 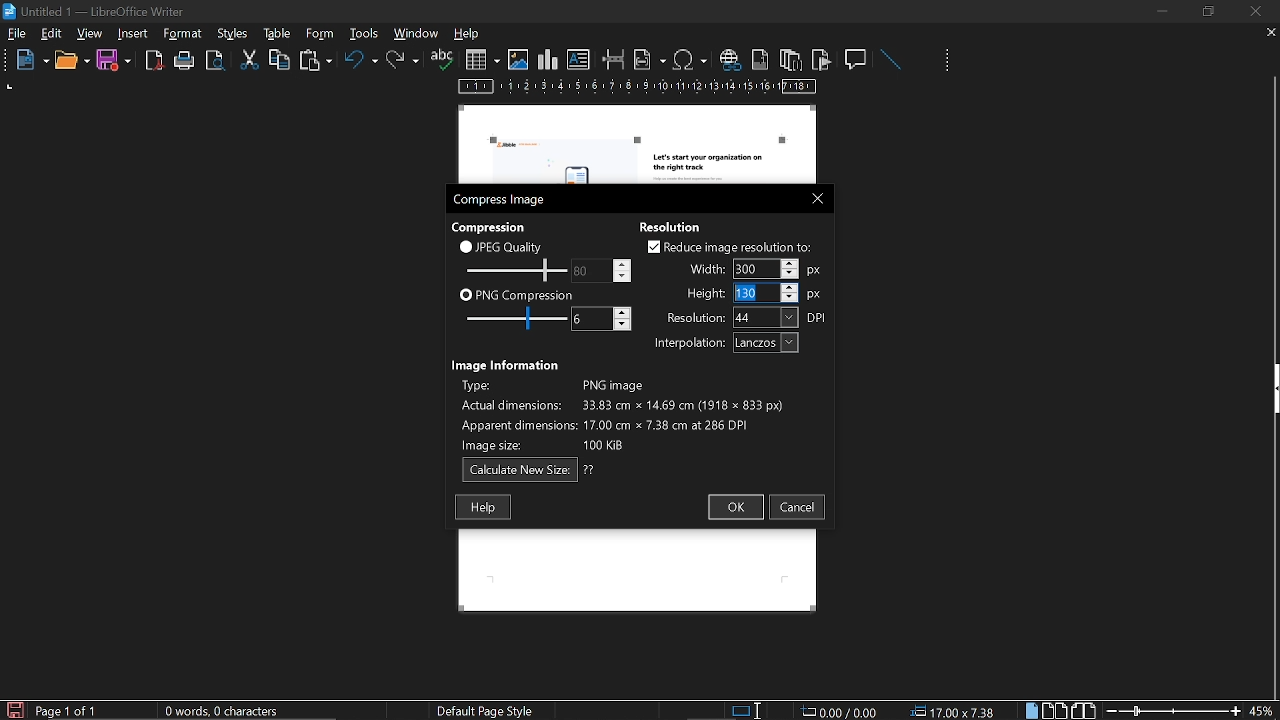 I want to click on print, so click(x=185, y=61).